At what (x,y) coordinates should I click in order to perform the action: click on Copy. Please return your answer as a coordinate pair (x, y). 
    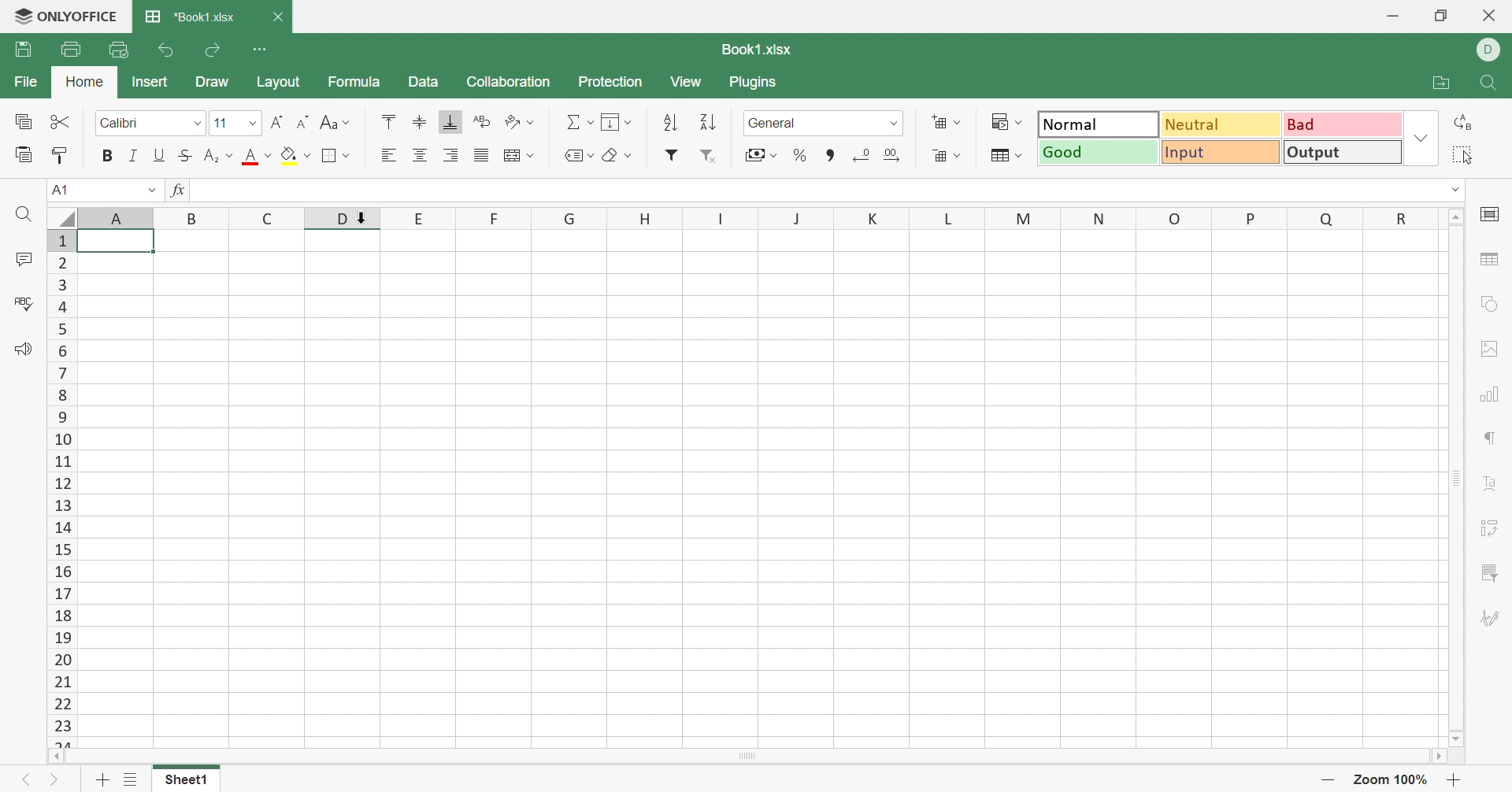
    Looking at the image, I should click on (24, 120).